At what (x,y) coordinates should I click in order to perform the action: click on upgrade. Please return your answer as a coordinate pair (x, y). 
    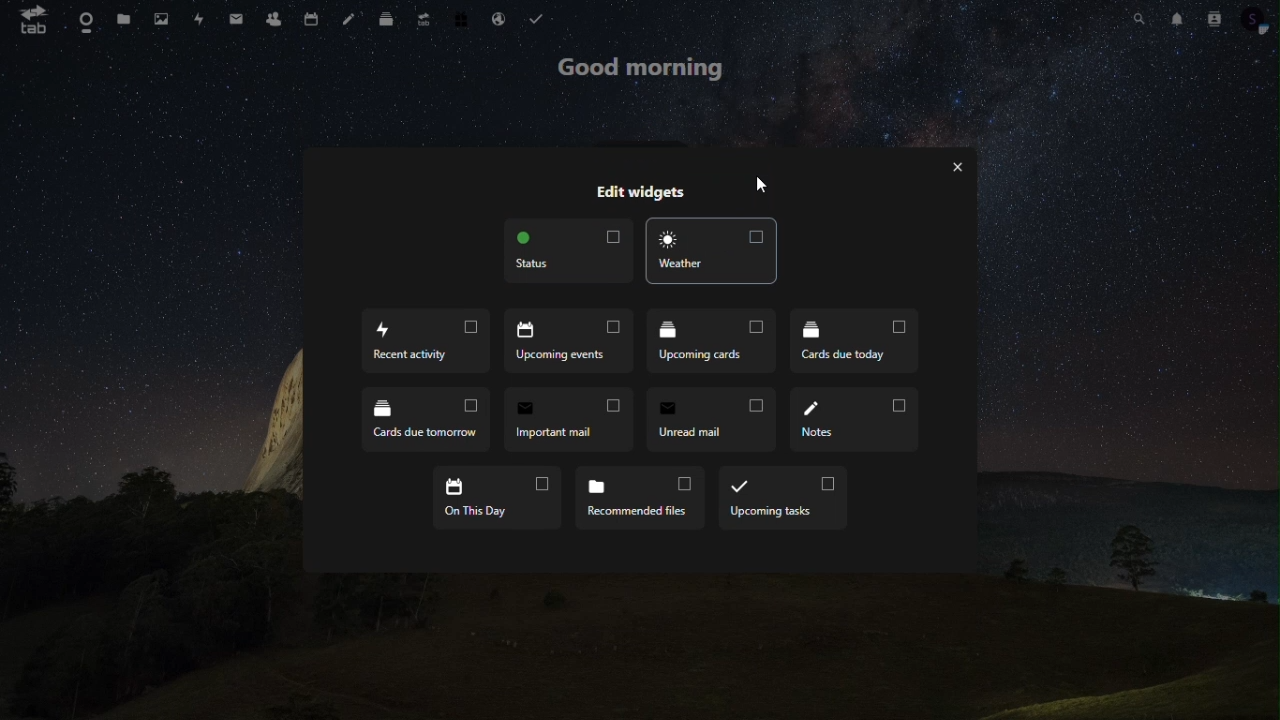
    Looking at the image, I should click on (424, 16).